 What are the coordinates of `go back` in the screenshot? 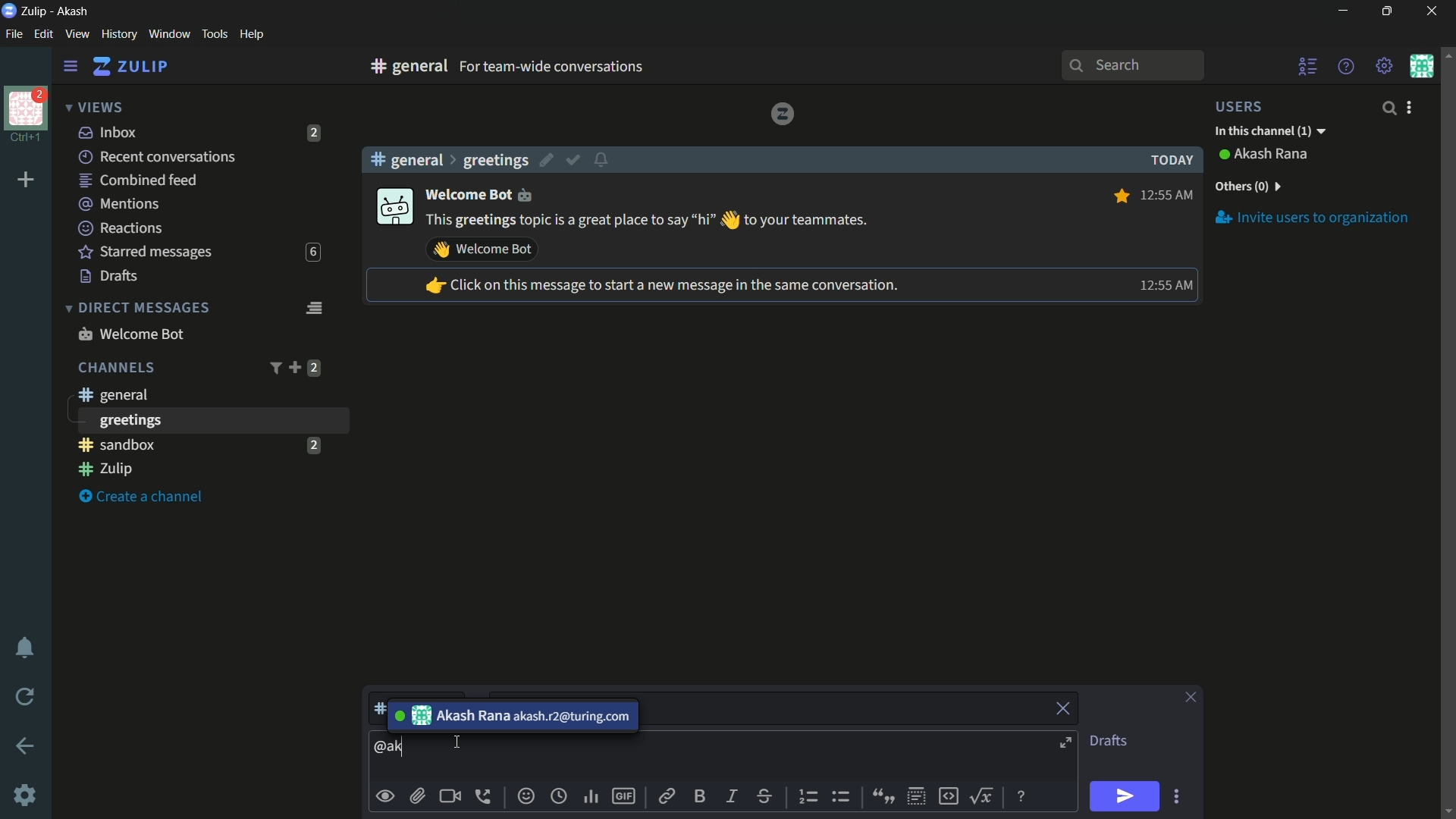 It's located at (26, 747).